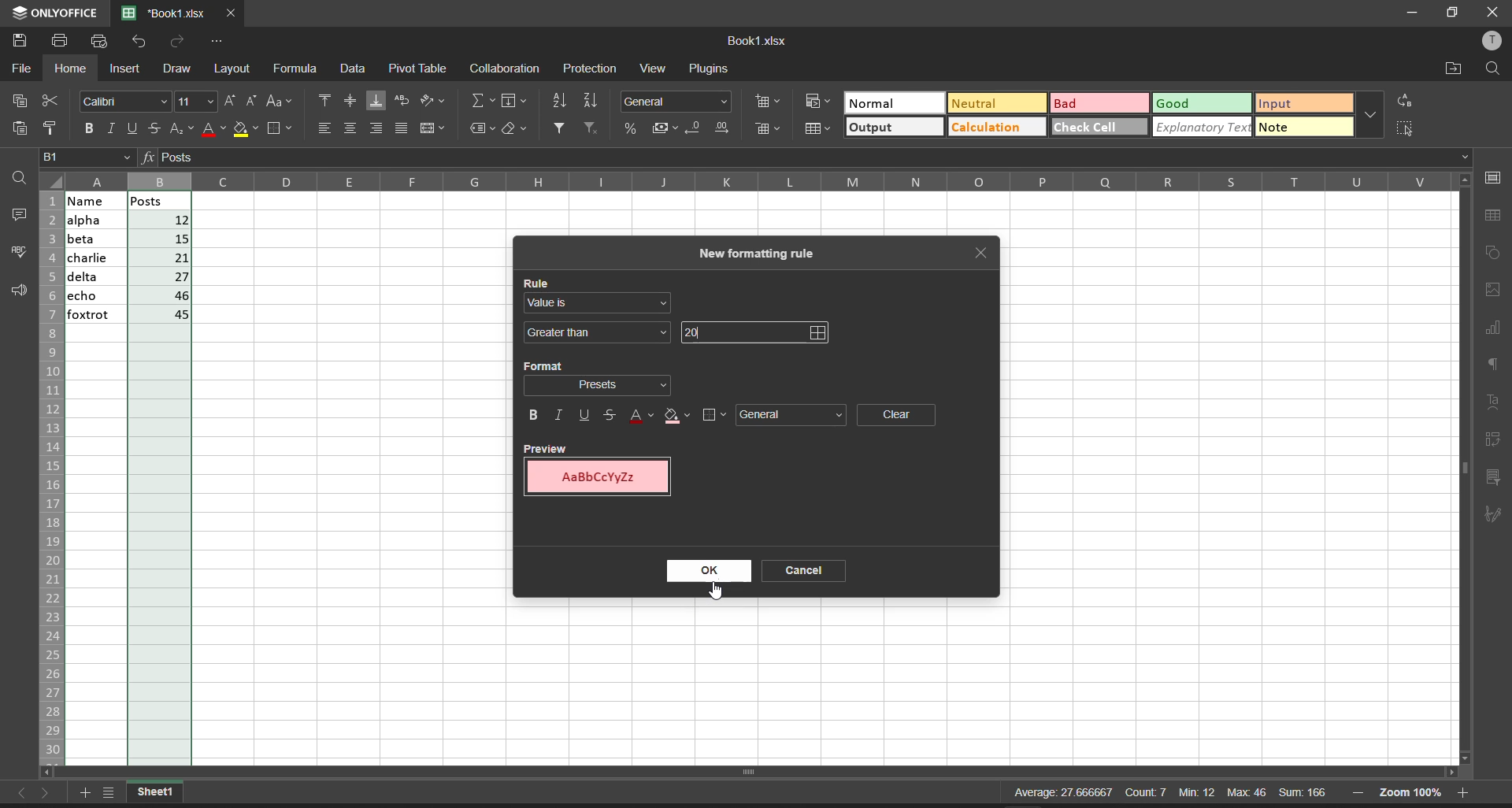  Describe the element at coordinates (356, 69) in the screenshot. I see `data` at that location.